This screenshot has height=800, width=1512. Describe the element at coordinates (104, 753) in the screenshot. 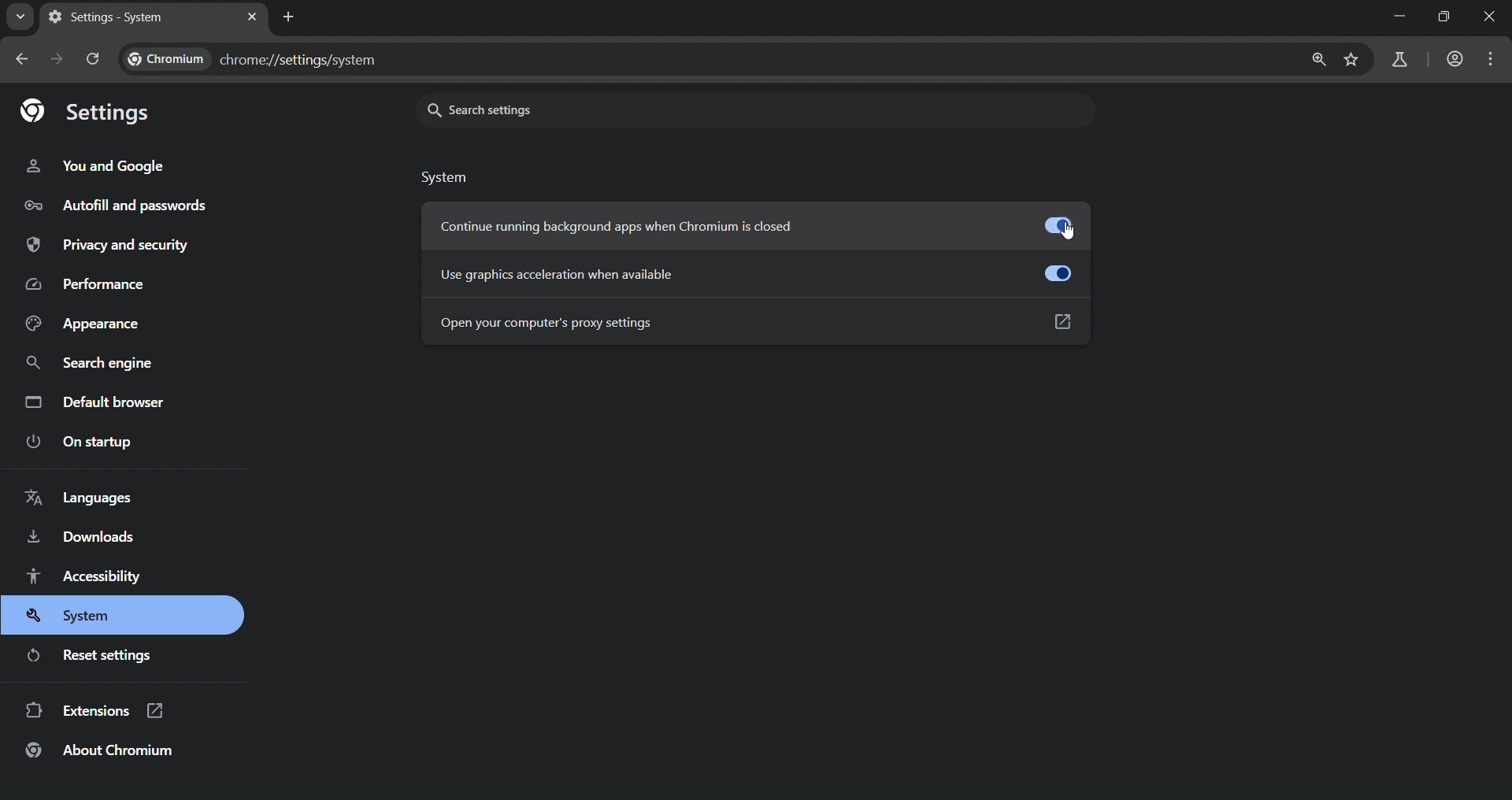

I see `about chromium` at that location.